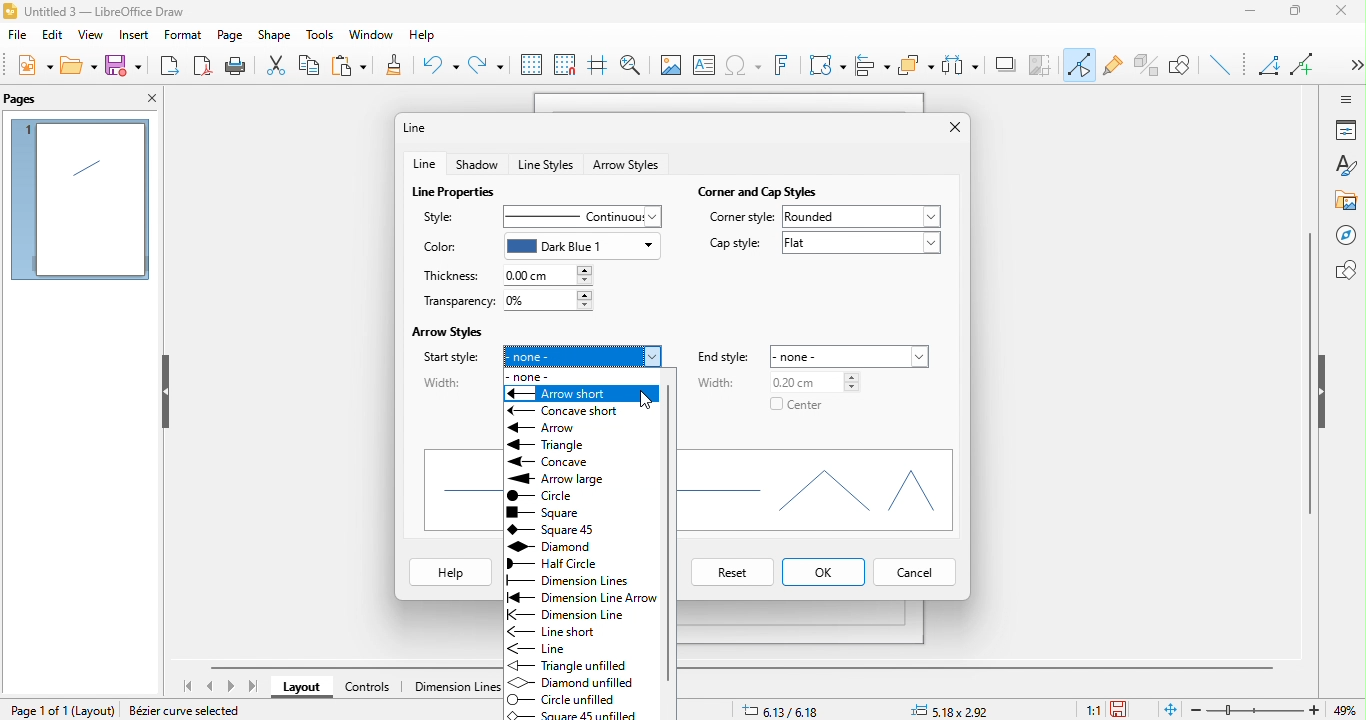 This screenshot has width=1366, height=720. Describe the element at coordinates (1007, 65) in the screenshot. I see `shadow` at that location.